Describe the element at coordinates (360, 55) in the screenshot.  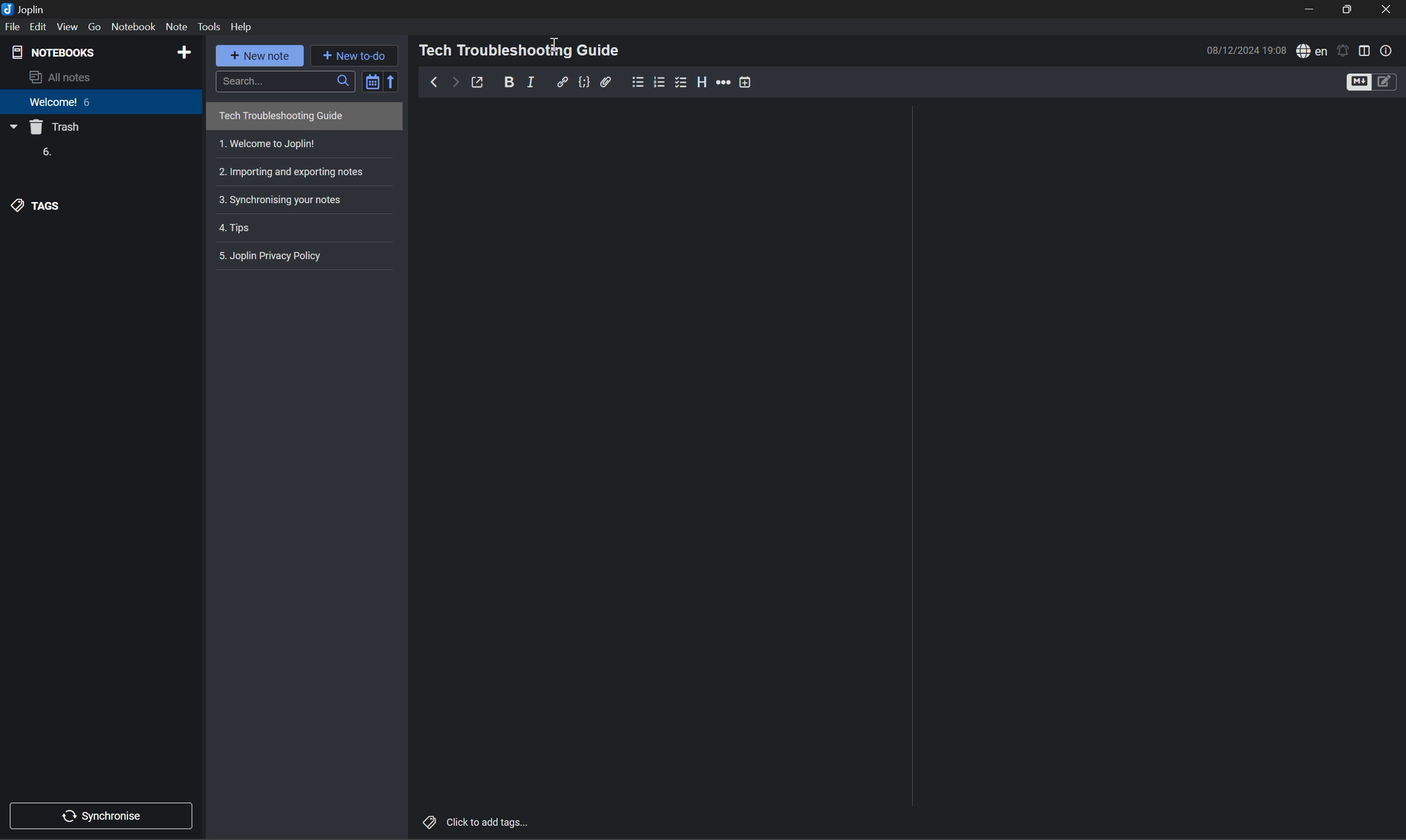
I see `New to-do` at that location.